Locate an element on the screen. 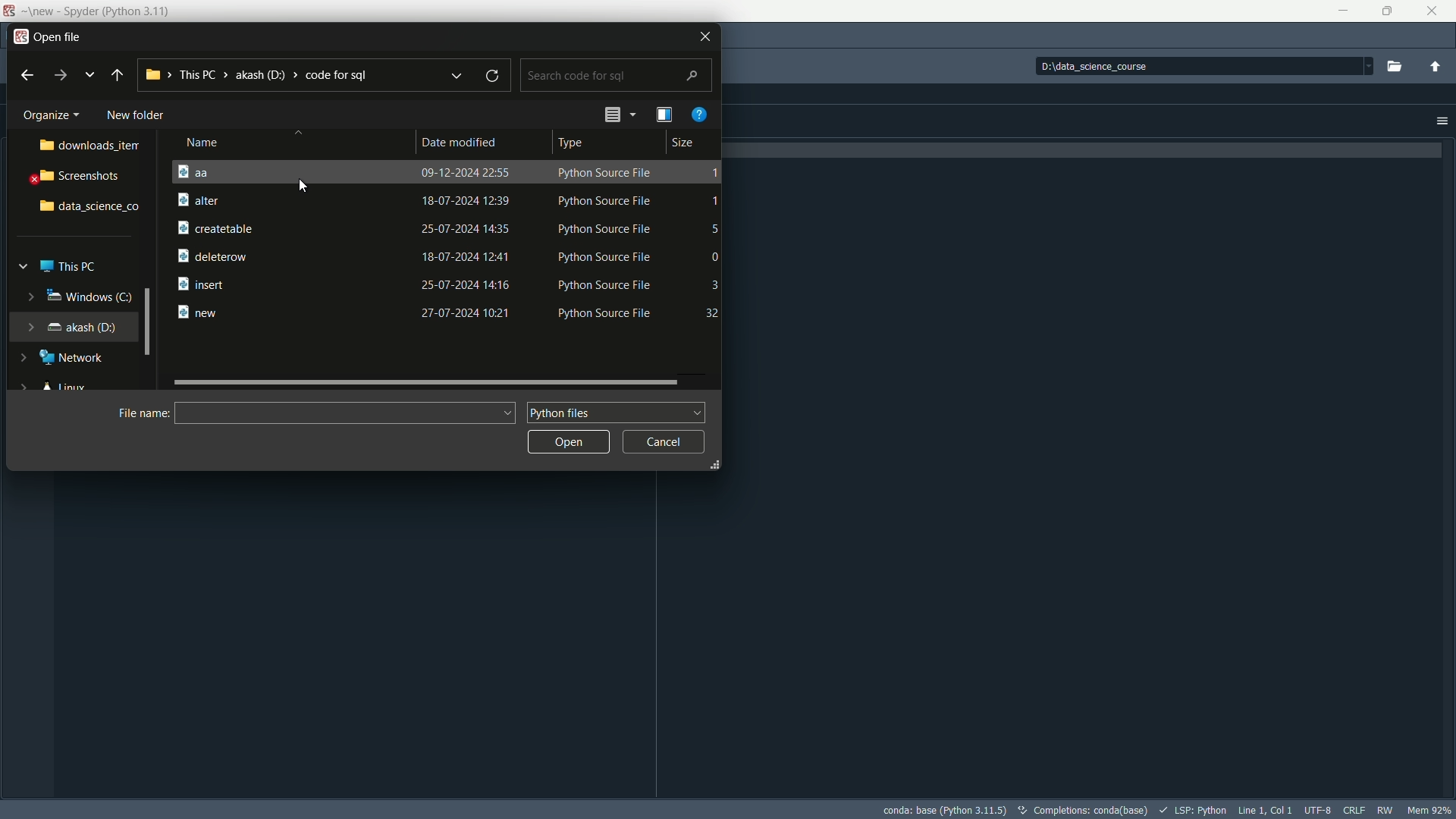 This screenshot has height=819, width=1456. Menu is located at coordinates (665, 115).